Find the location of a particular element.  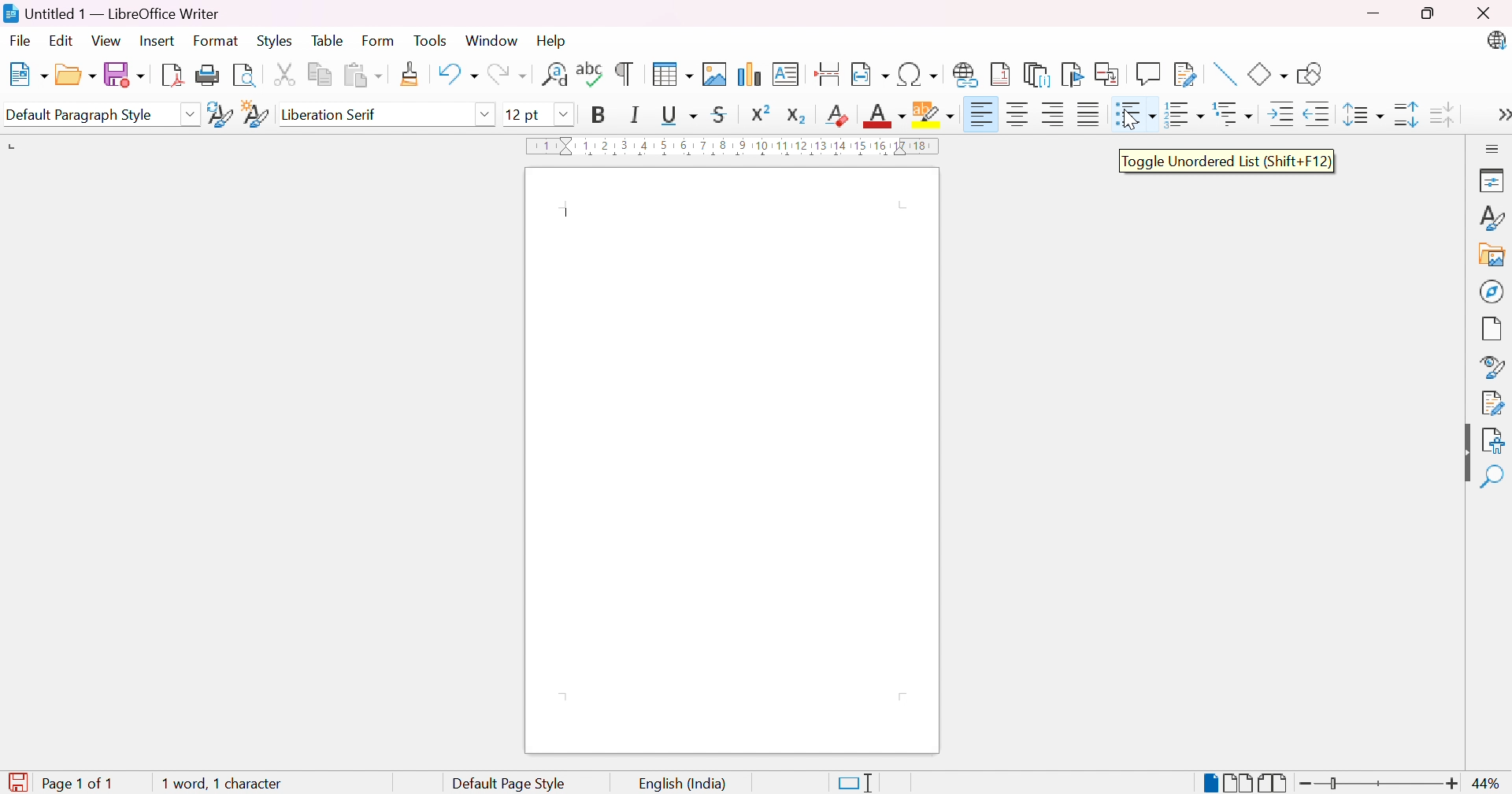

Accessibility check is located at coordinates (1495, 442).